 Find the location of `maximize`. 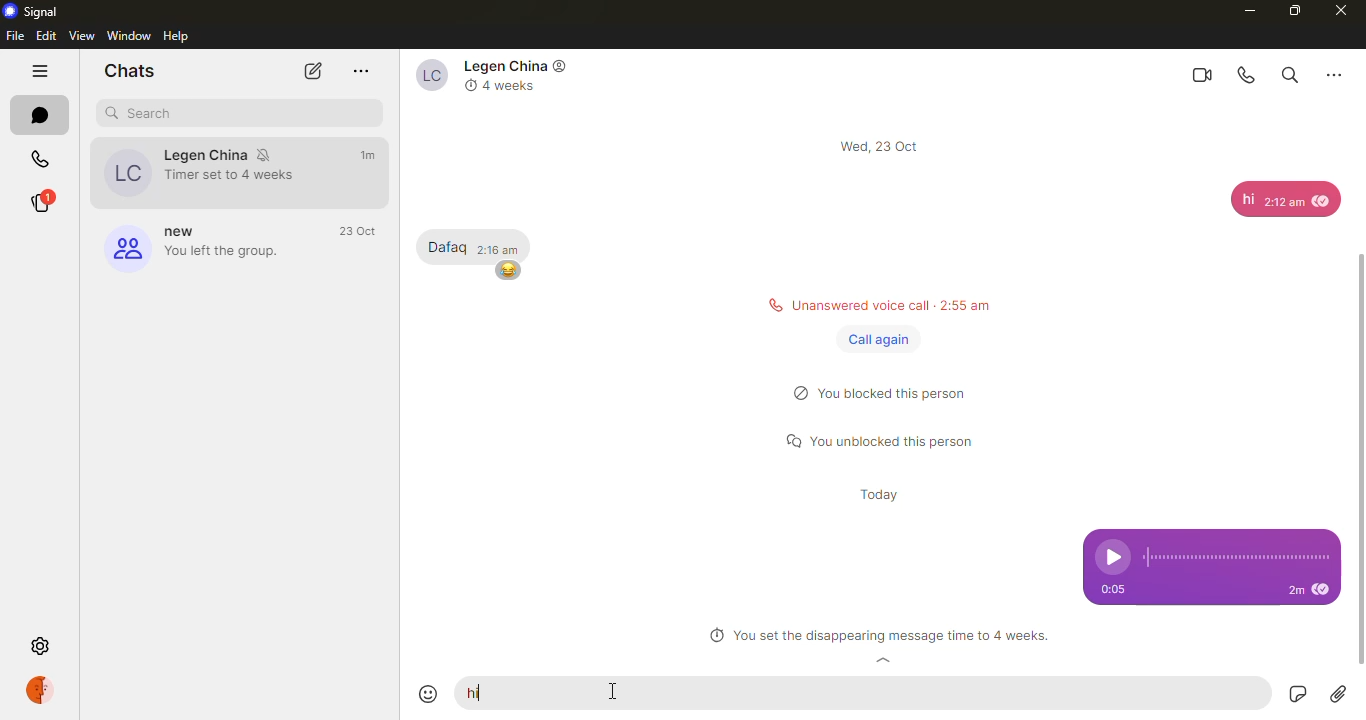

maximize is located at coordinates (1293, 10).